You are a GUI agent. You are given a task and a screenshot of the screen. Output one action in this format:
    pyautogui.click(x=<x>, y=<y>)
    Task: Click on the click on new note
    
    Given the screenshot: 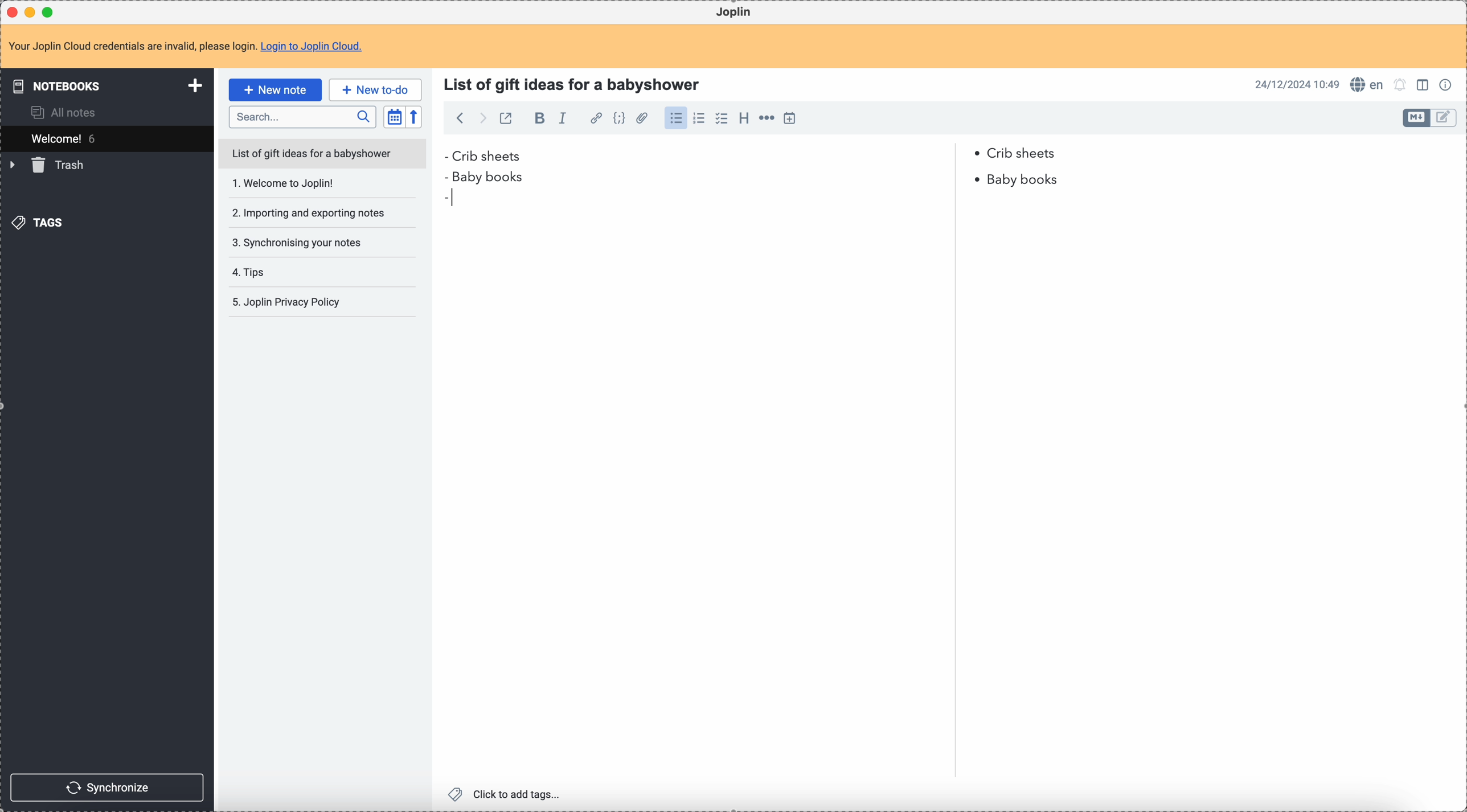 What is the action you would take?
    pyautogui.click(x=274, y=90)
    